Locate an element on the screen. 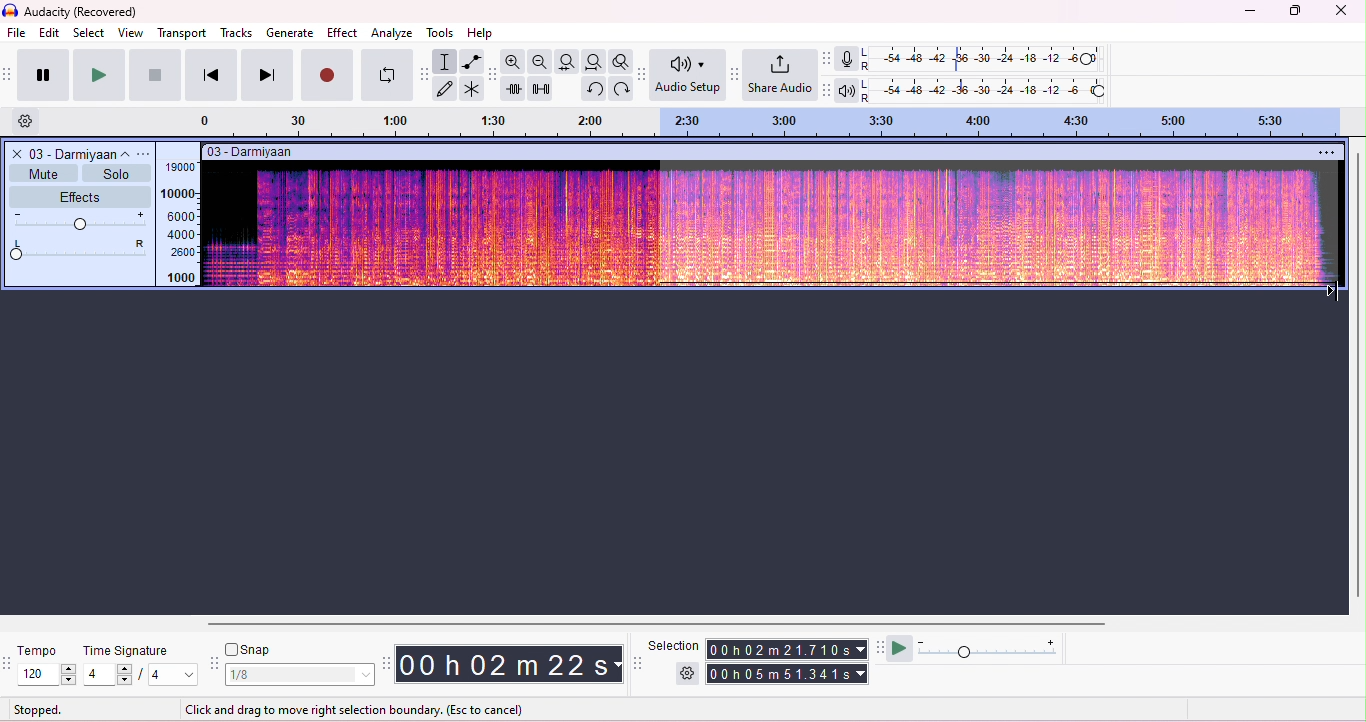 This screenshot has height=722, width=1366. silence selection is located at coordinates (540, 89).